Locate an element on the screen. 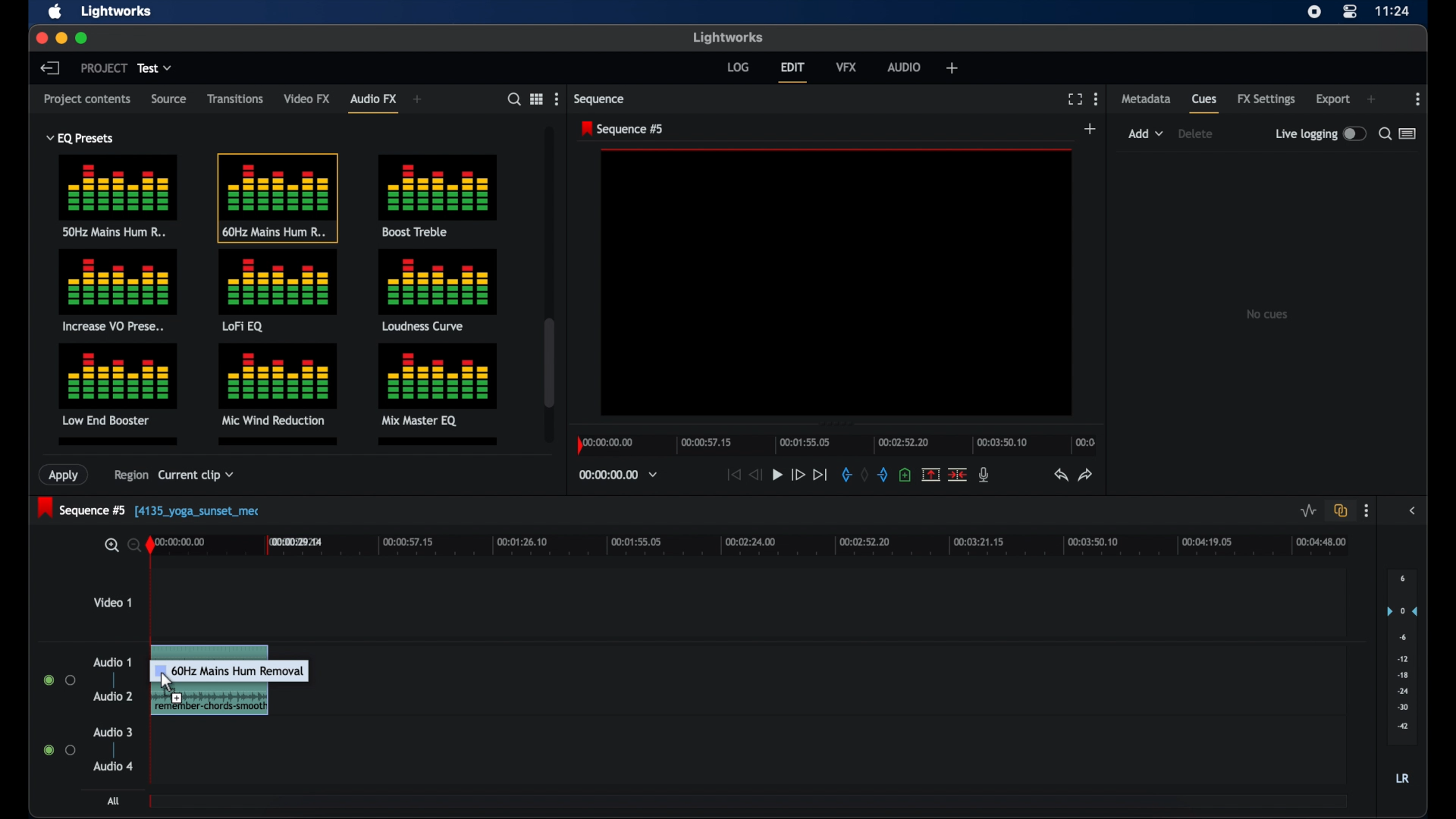 The width and height of the screenshot is (1456, 819). mic wind reduction is located at coordinates (277, 384).